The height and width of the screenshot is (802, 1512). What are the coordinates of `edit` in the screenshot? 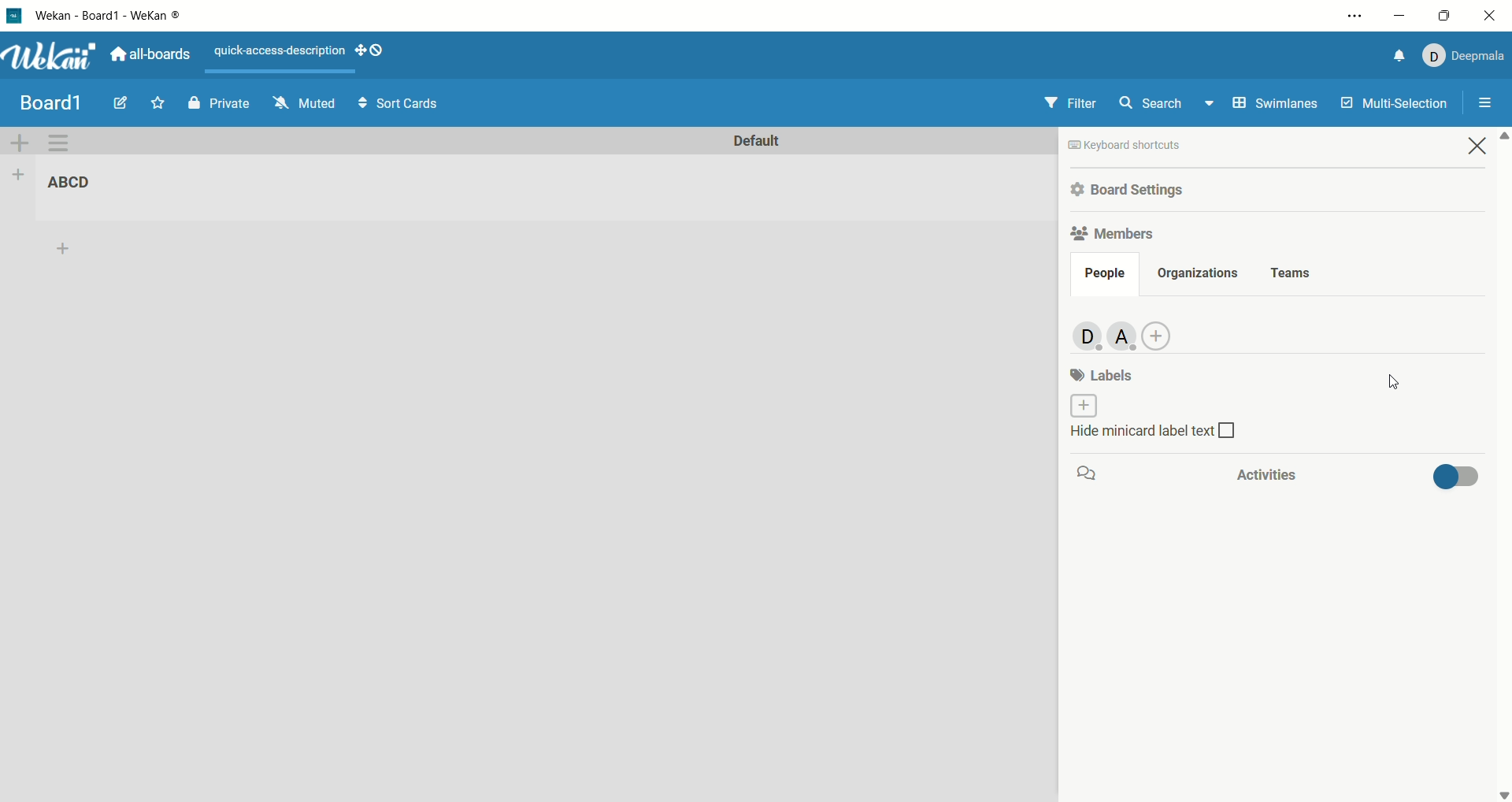 It's located at (120, 102).